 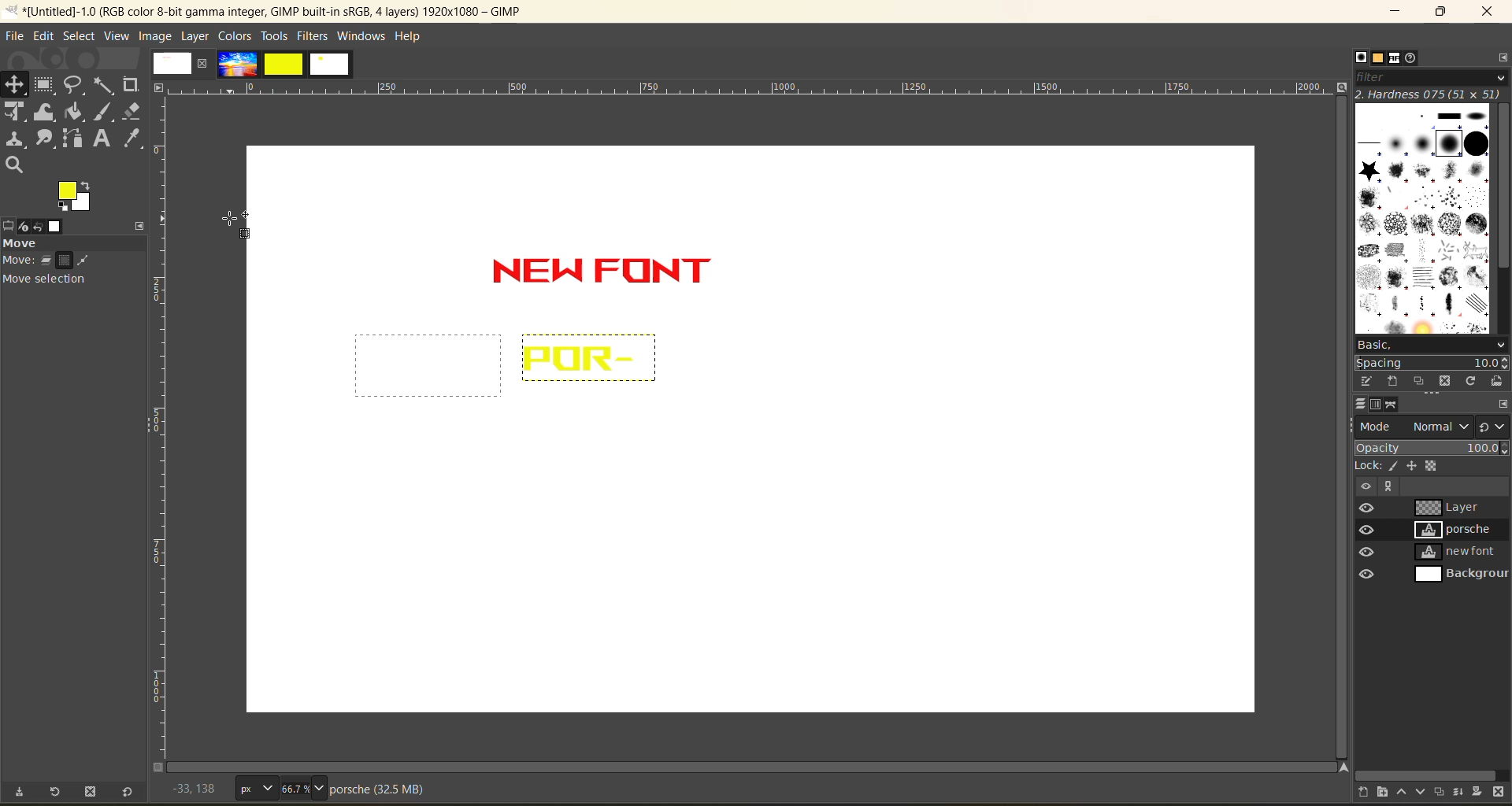 I want to click on fonts, so click(x=1397, y=57).